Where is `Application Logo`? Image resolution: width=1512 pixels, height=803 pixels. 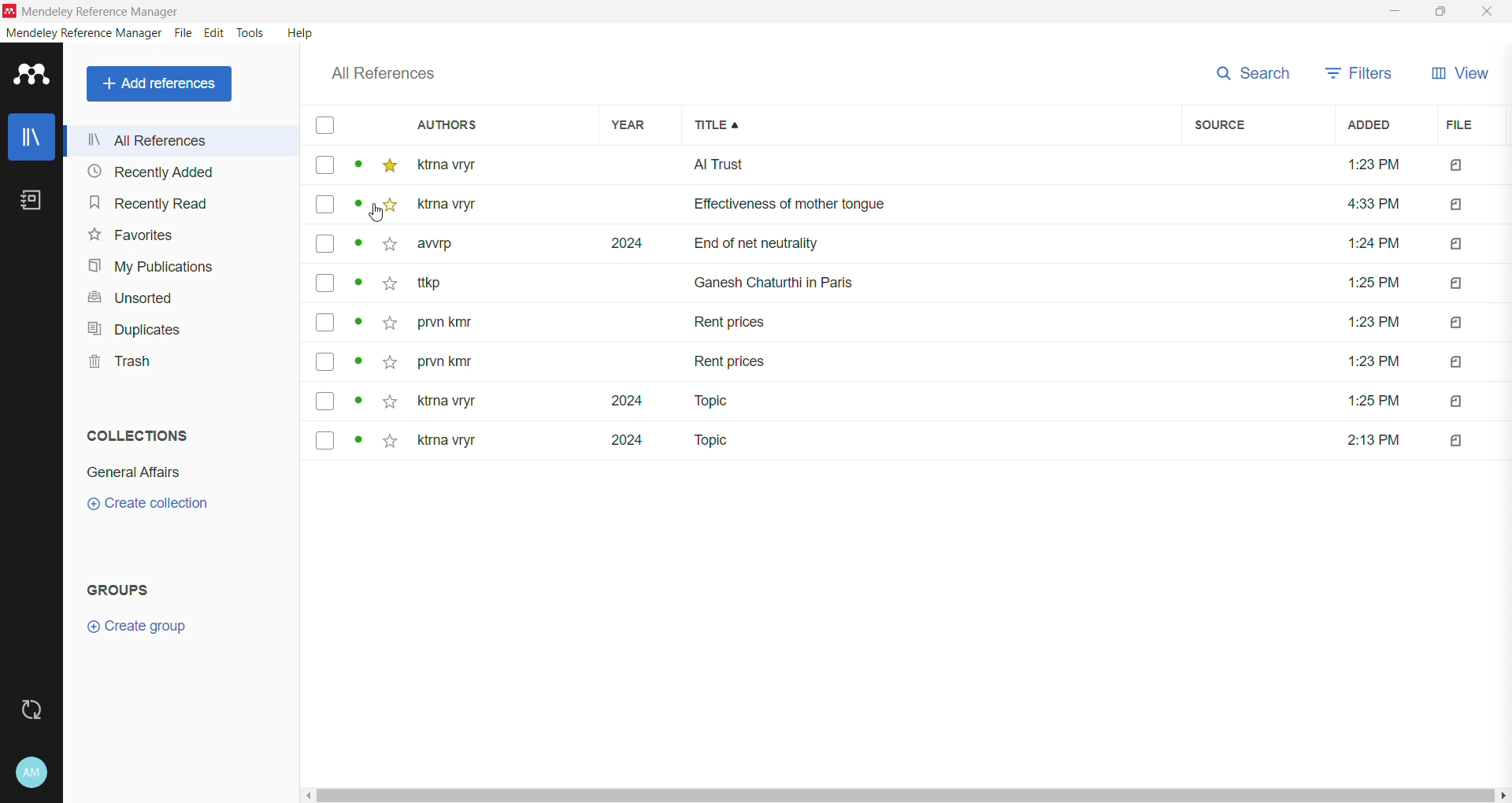
Application Logo is located at coordinates (9, 11).